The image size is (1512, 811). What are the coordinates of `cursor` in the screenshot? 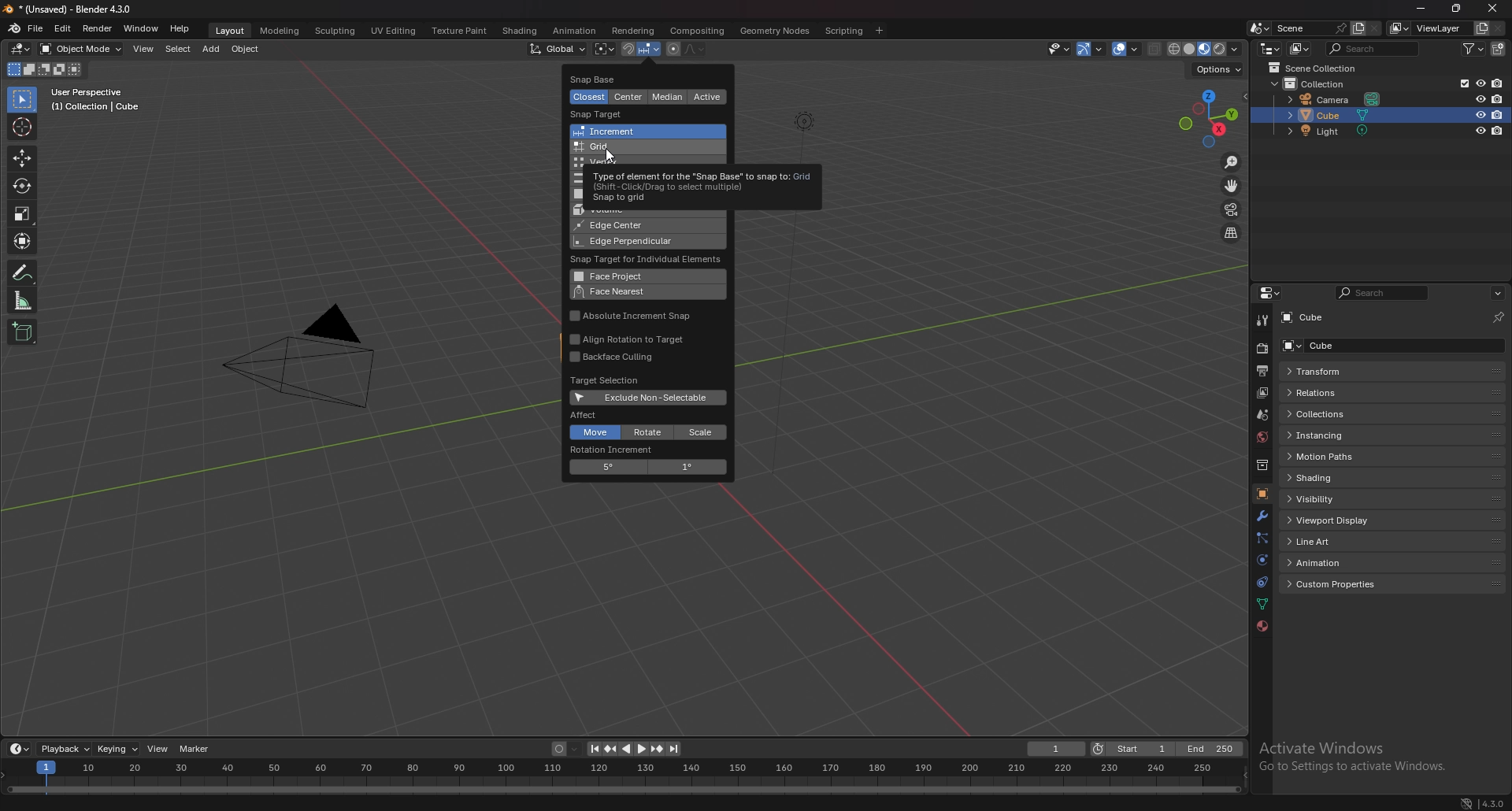 It's located at (20, 126).